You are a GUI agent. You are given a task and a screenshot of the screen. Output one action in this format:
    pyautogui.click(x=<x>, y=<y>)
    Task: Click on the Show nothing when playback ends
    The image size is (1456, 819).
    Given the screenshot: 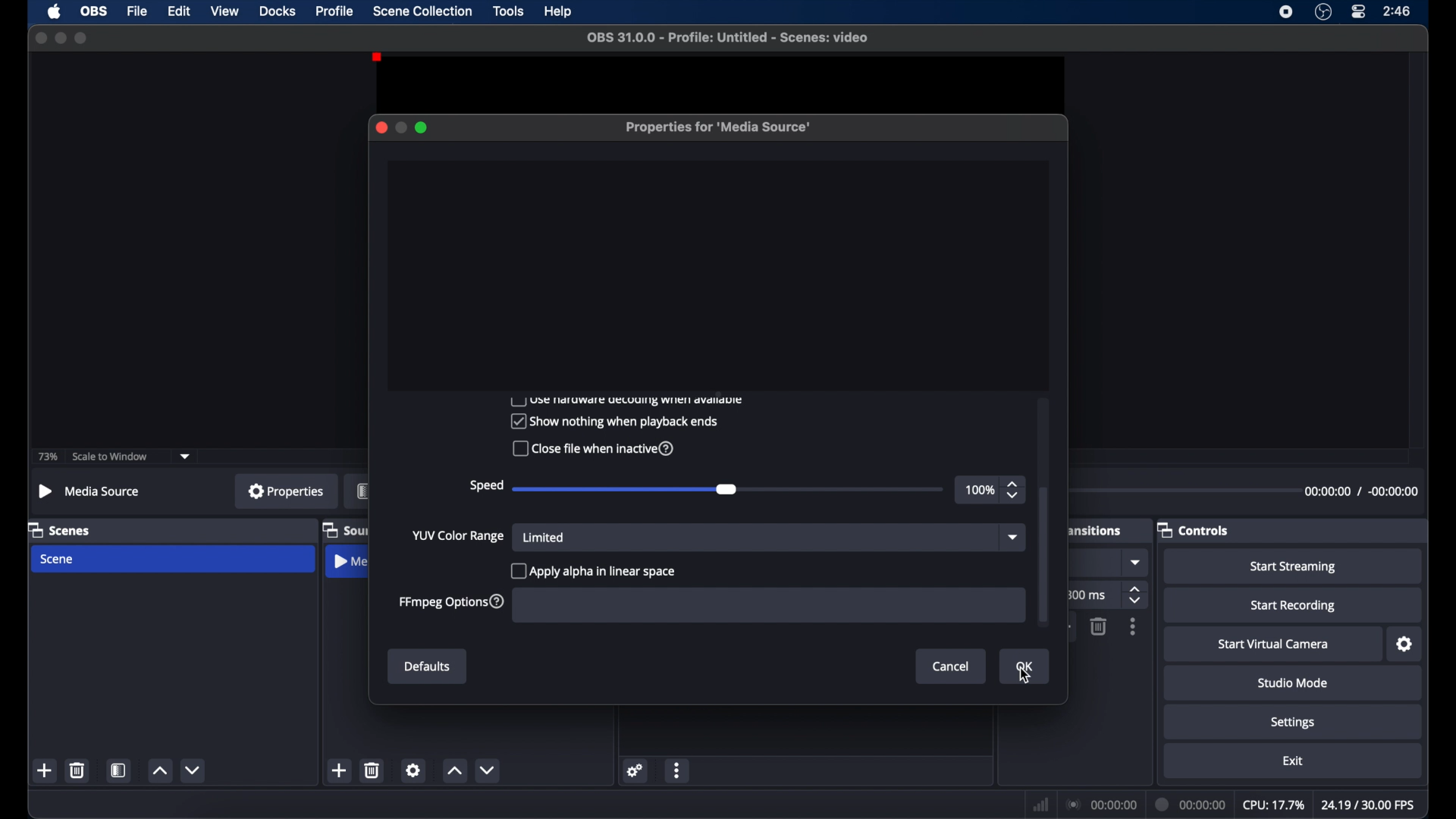 What is the action you would take?
    pyautogui.click(x=613, y=421)
    